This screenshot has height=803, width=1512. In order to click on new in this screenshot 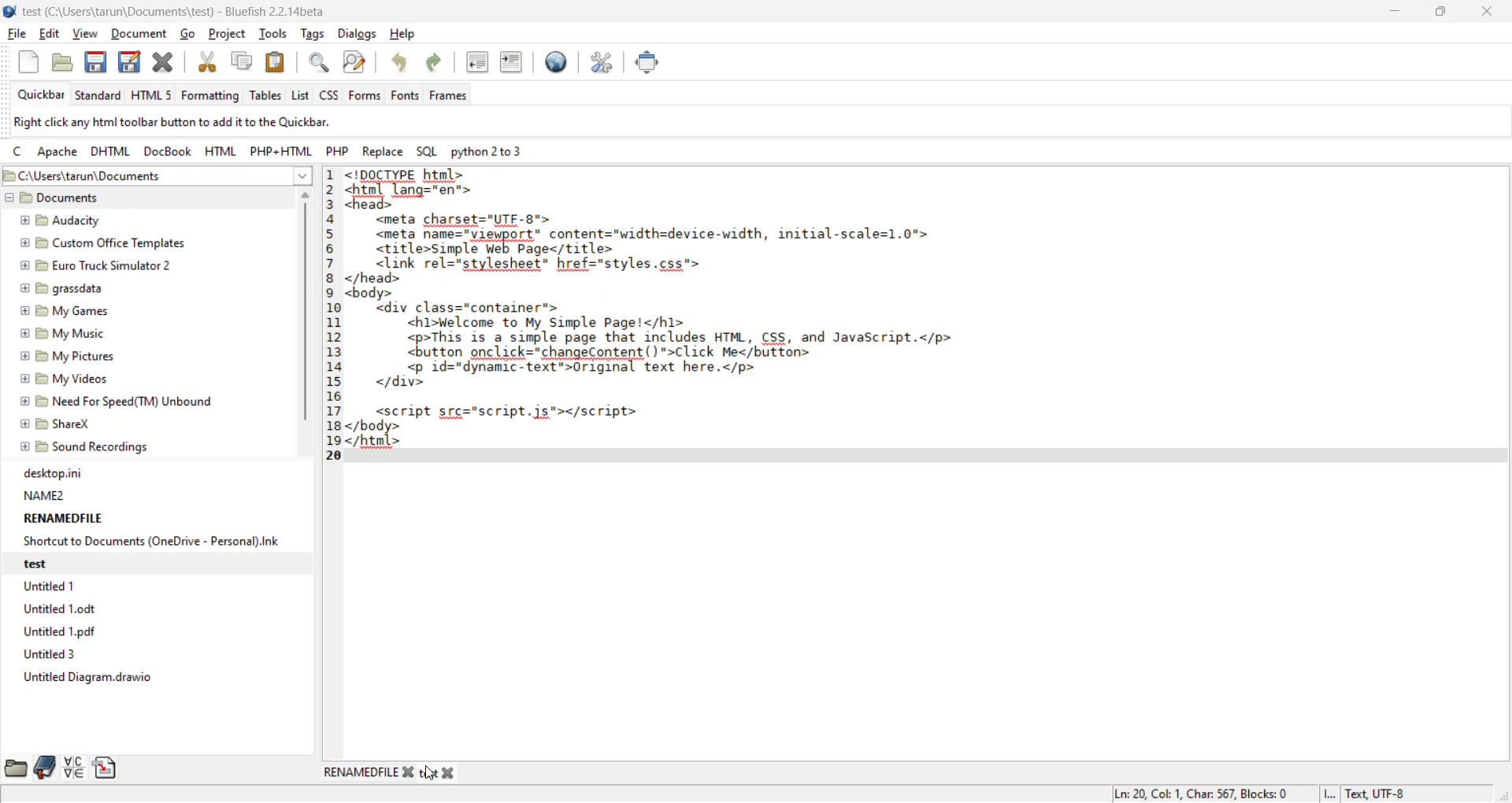, I will do `click(28, 63)`.